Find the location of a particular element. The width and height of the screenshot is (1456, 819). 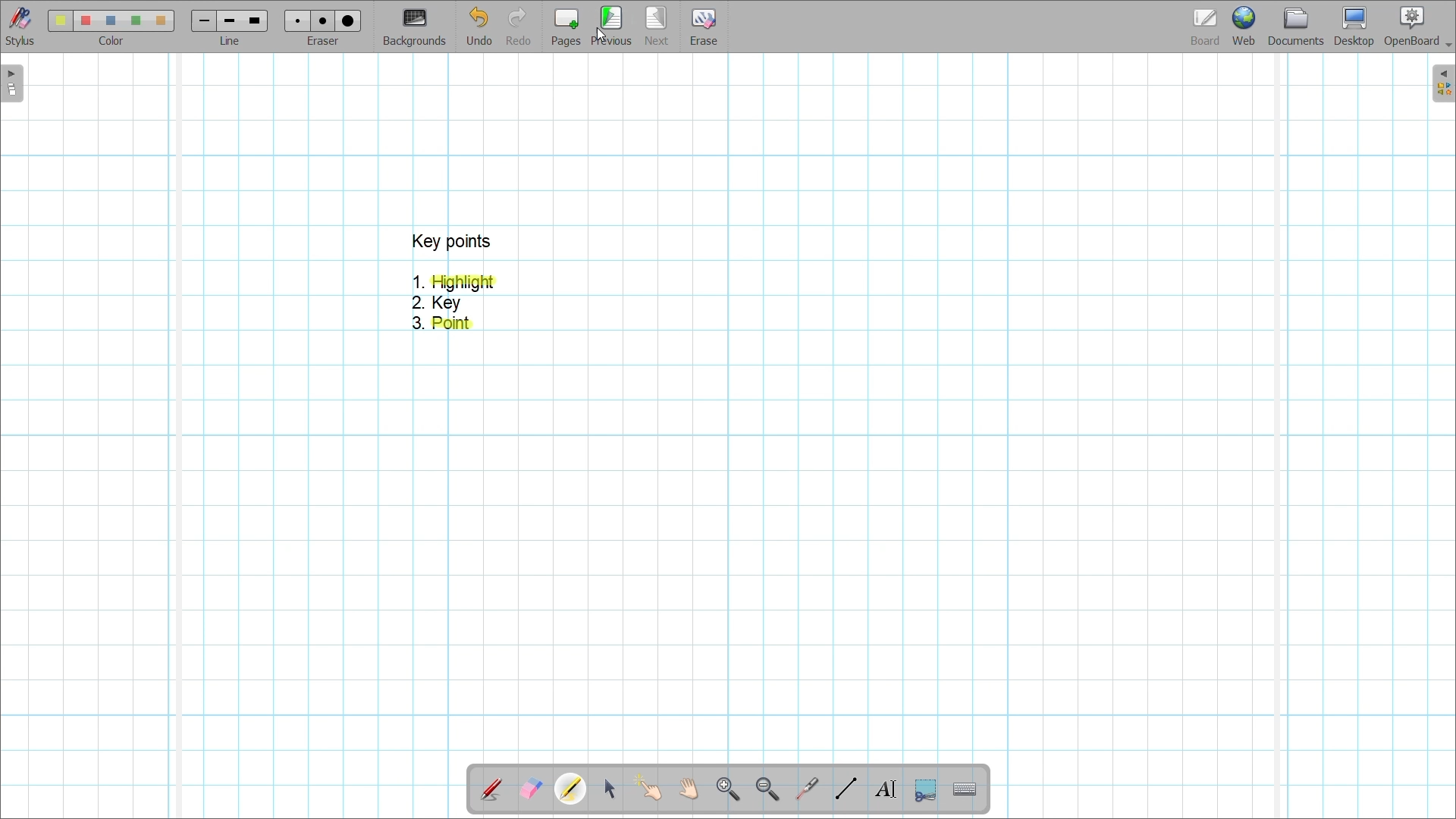

color4 is located at coordinates (135, 20).